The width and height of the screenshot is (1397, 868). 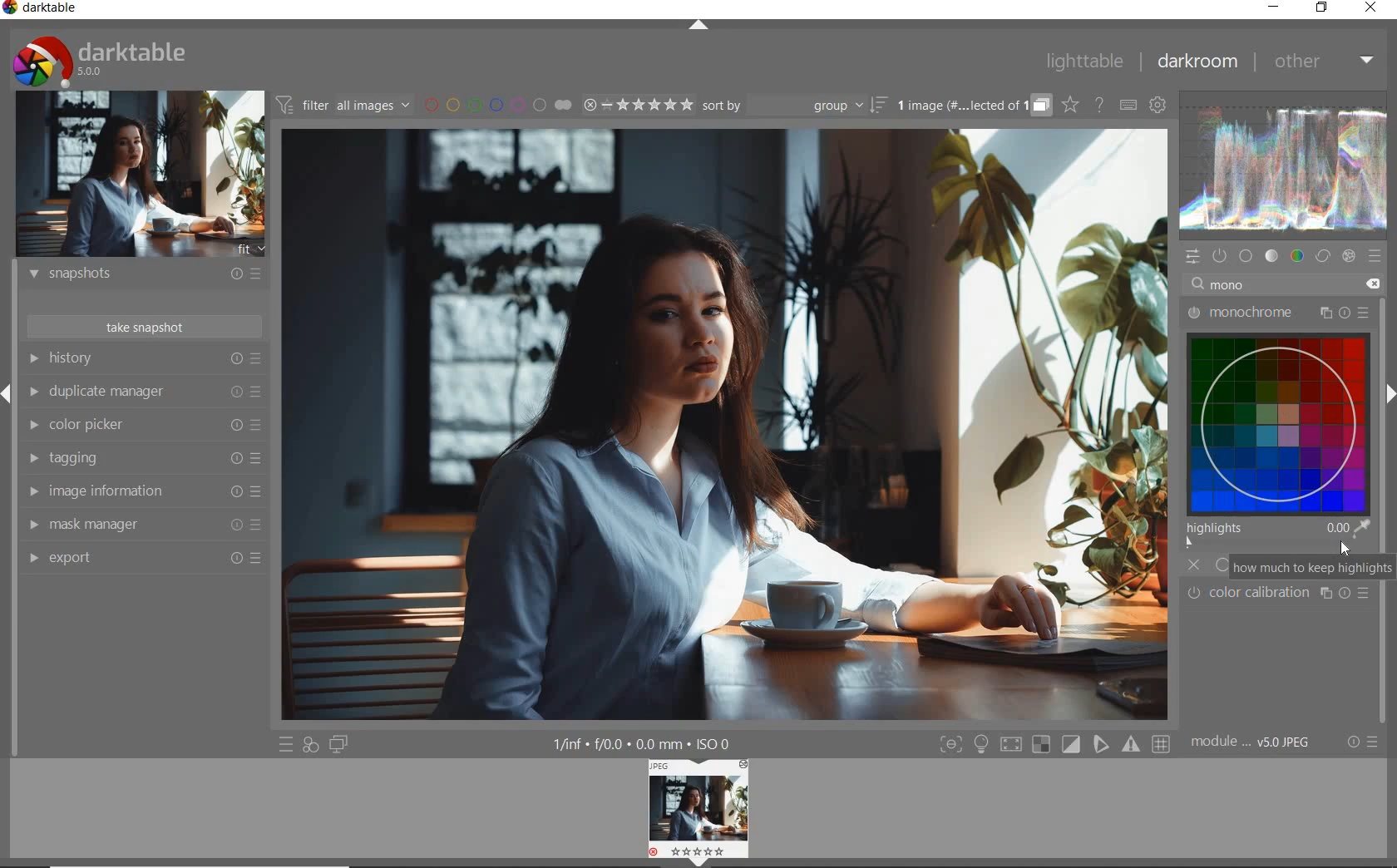 I want to click on selected image, so click(x=727, y=426).